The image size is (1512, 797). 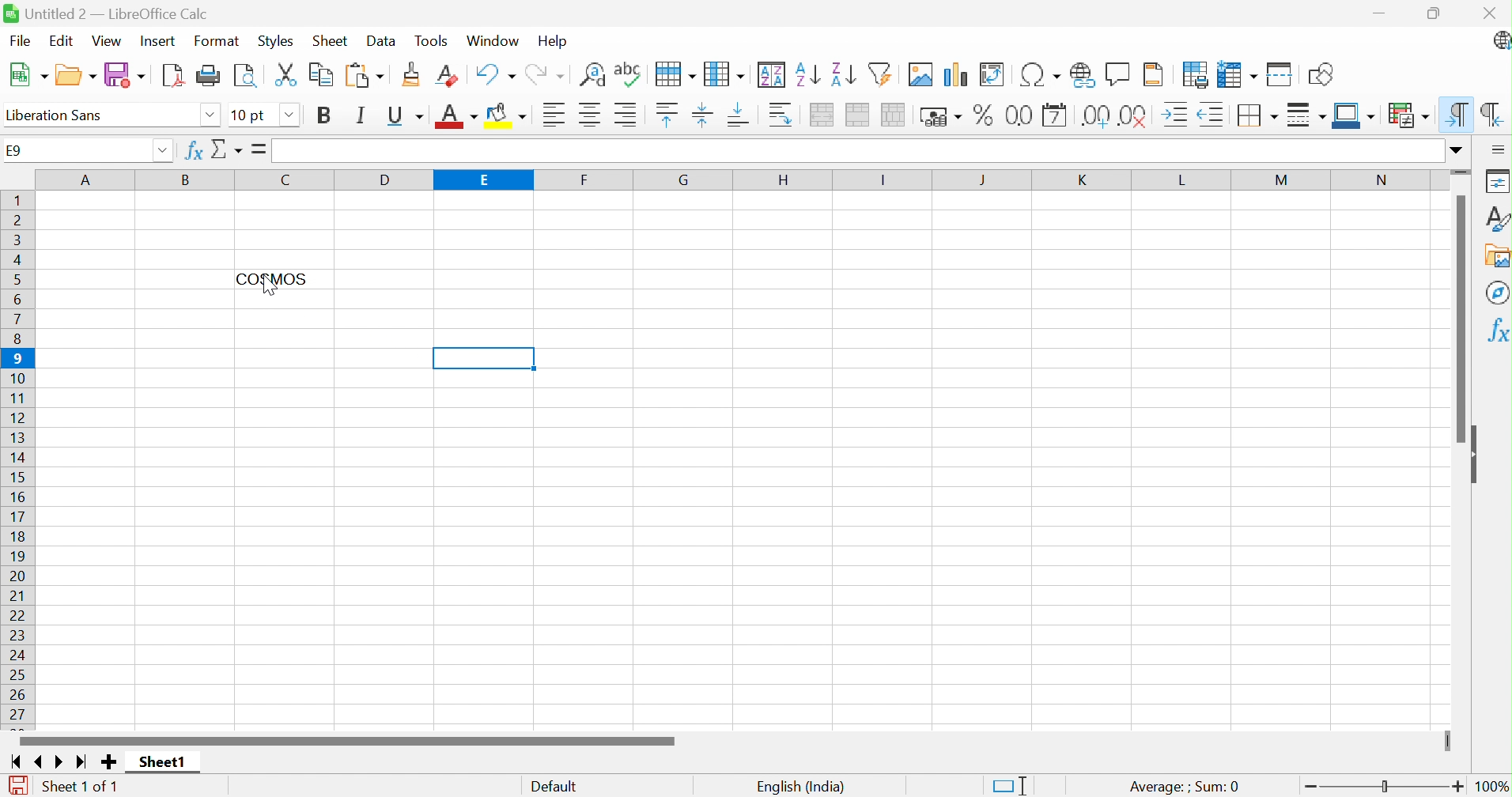 What do you see at coordinates (1438, 14) in the screenshot?
I see `Restore down` at bounding box center [1438, 14].